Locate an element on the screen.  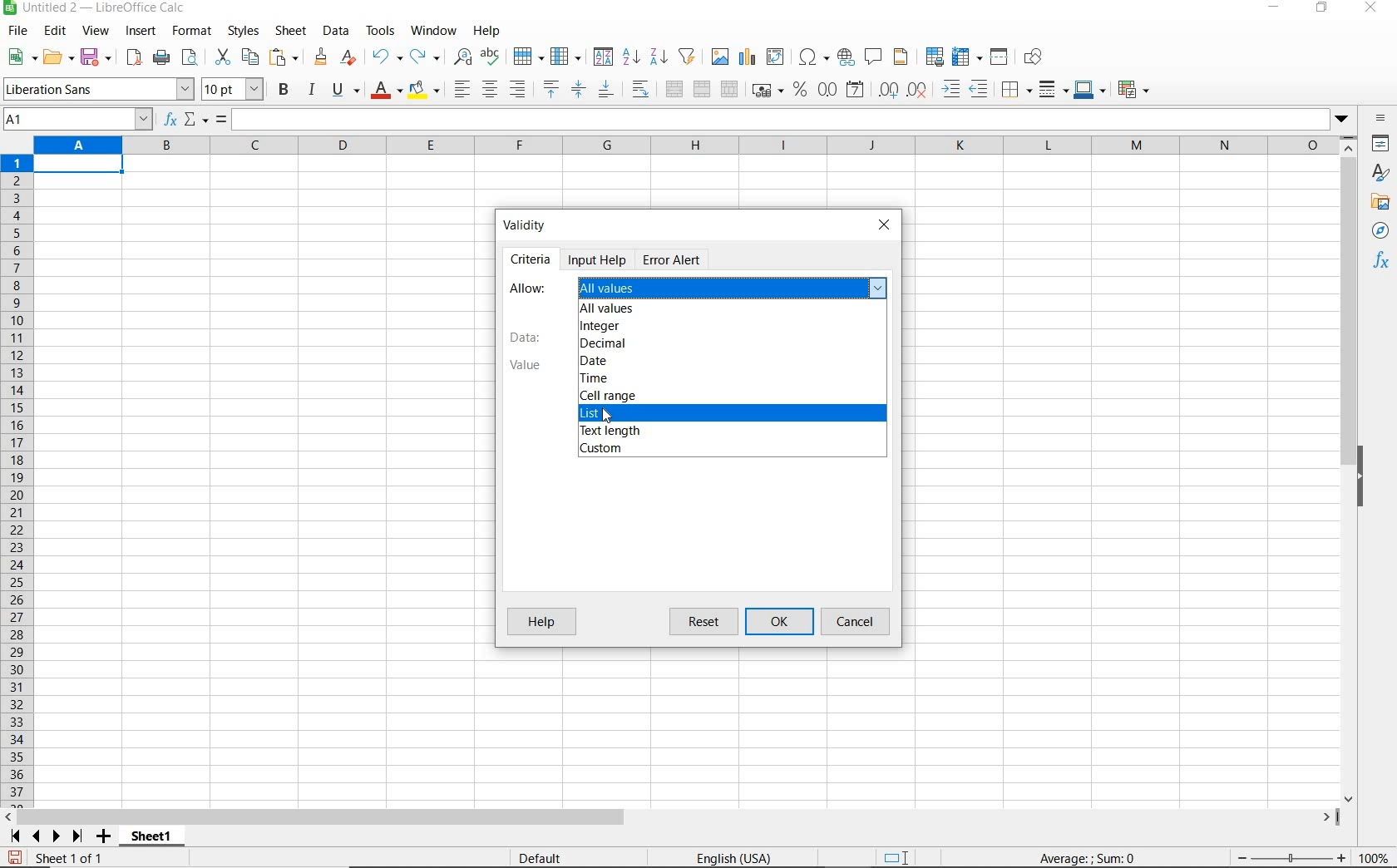
zoom factor is located at coordinates (1375, 857).